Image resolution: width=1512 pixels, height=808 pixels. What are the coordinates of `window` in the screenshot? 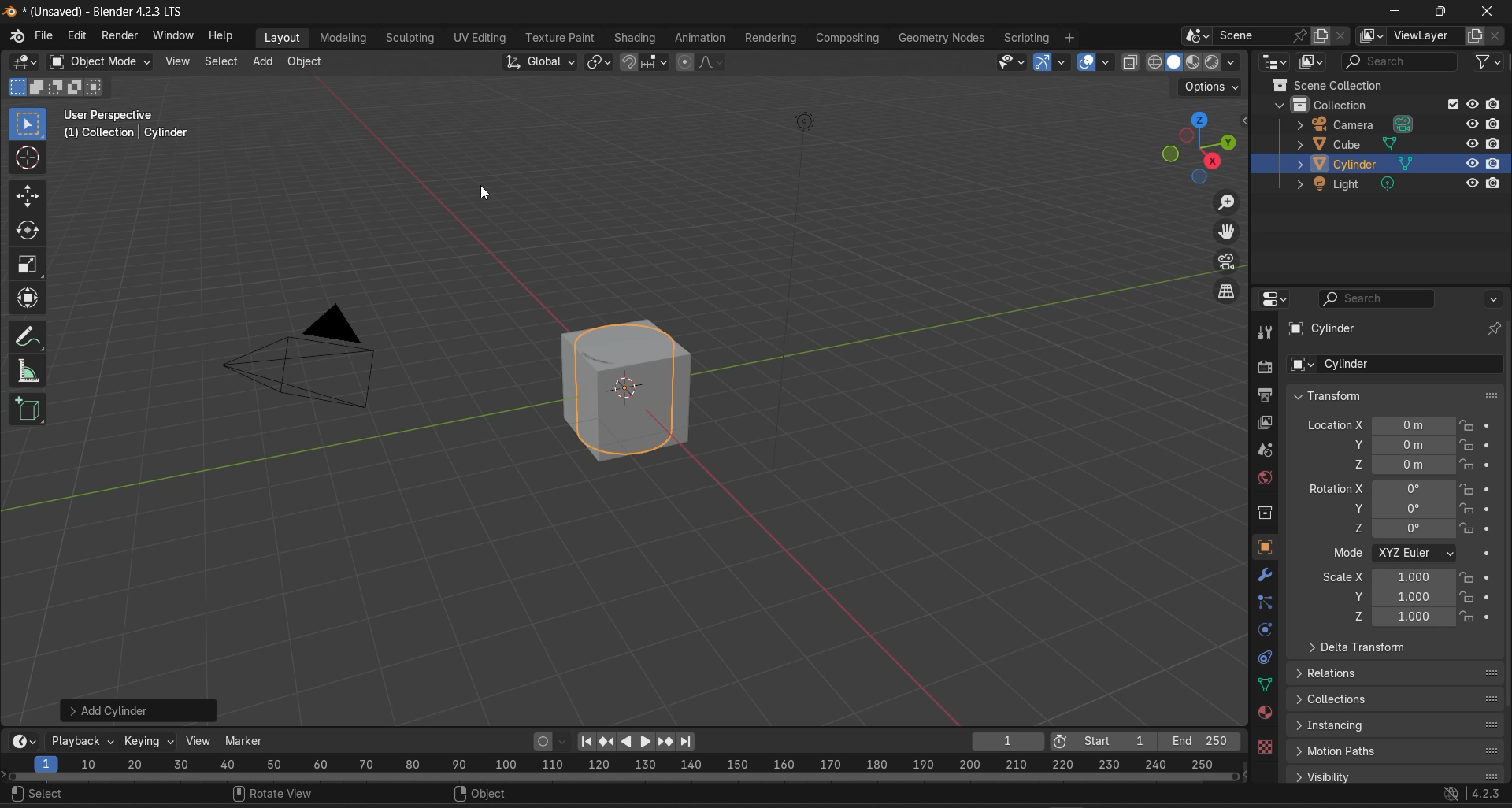 It's located at (175, 36).